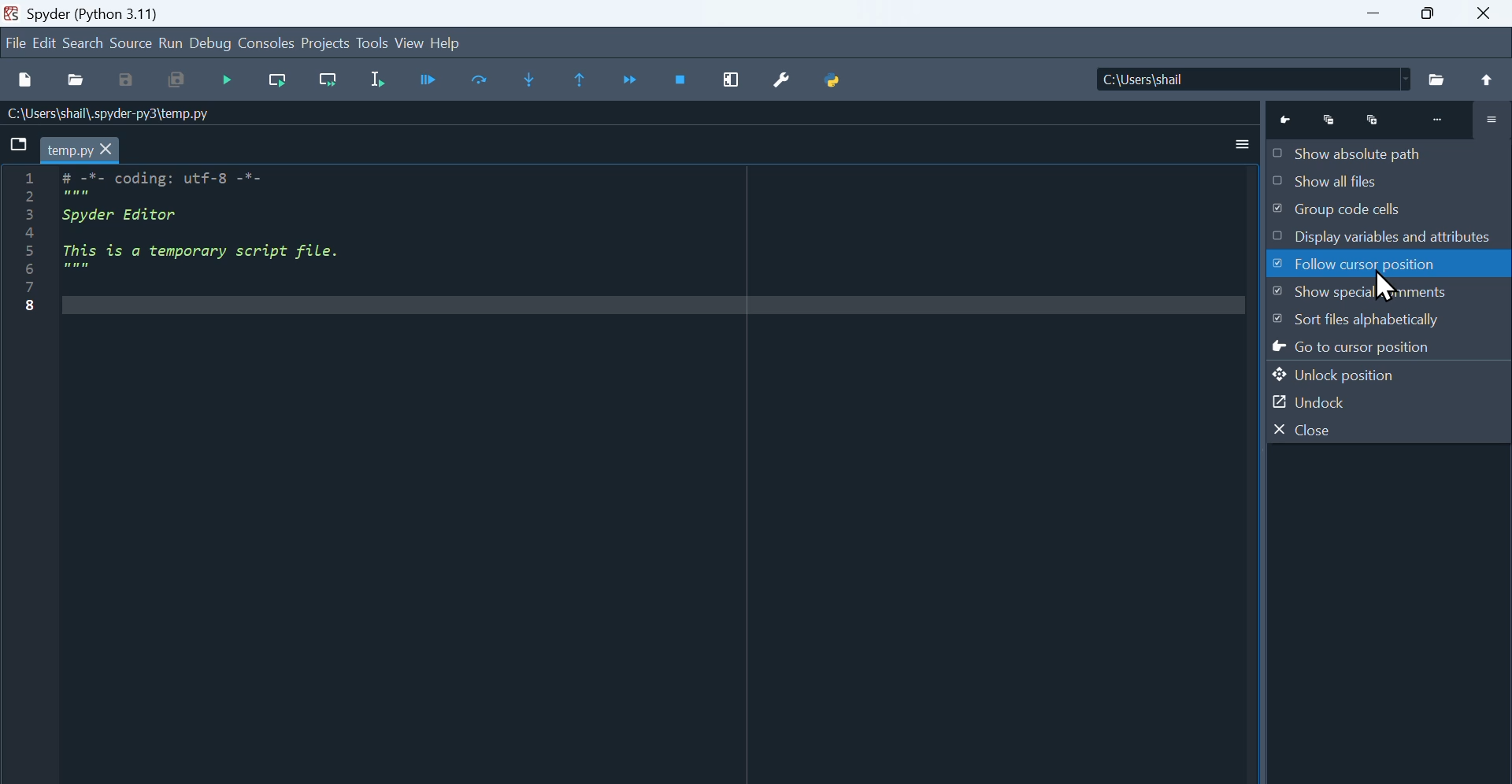 The image size is (1512, 784). I want to click on Show all files, so click(1373, 182).